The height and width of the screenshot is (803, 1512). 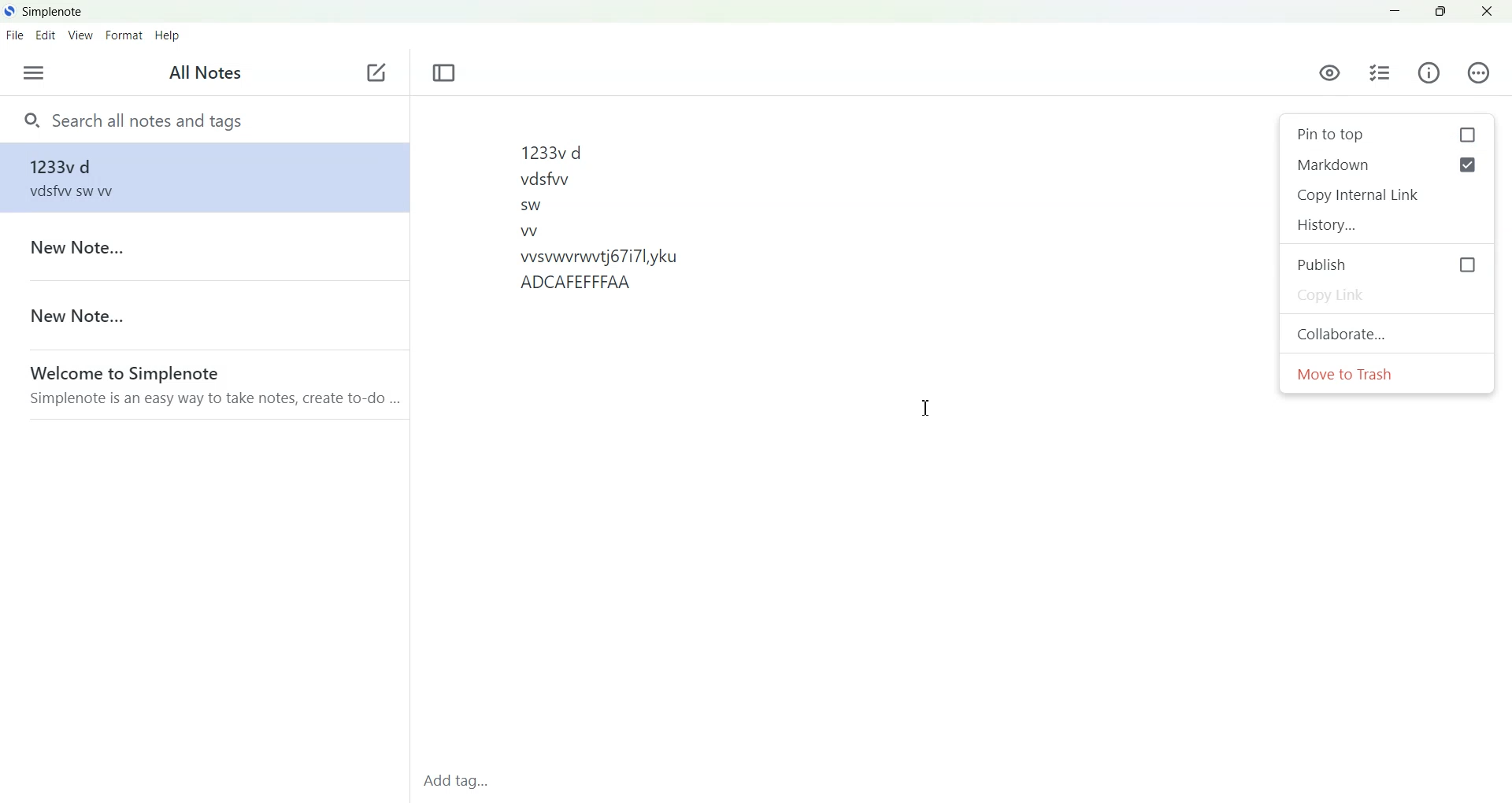 What do you see at coordinates (33, 72) in the screenshot?
I see `Menu` at bounding box center [33, 72].